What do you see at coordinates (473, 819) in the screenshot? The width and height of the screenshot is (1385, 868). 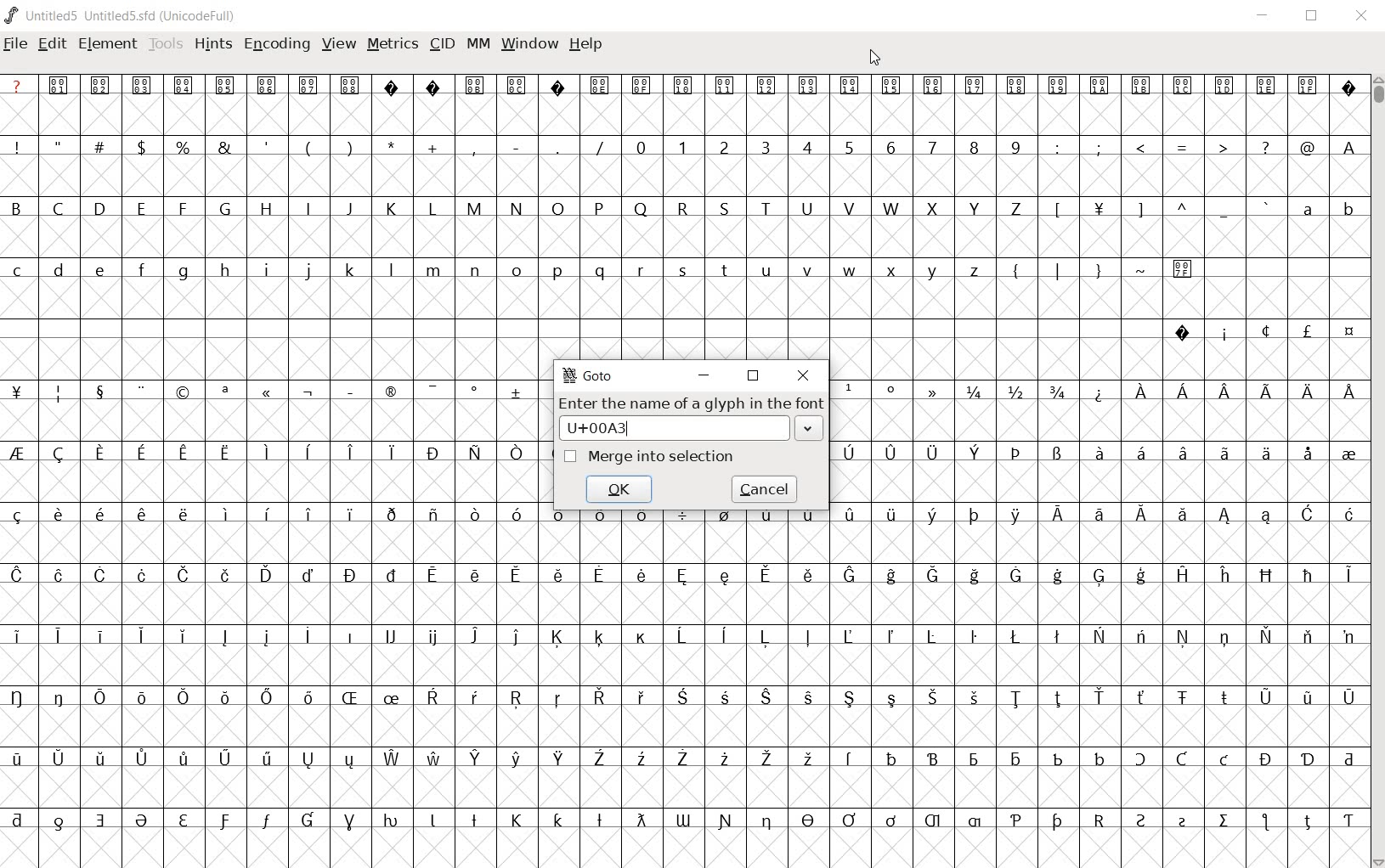 I see `Symbol` at bounding box center [473, 819].